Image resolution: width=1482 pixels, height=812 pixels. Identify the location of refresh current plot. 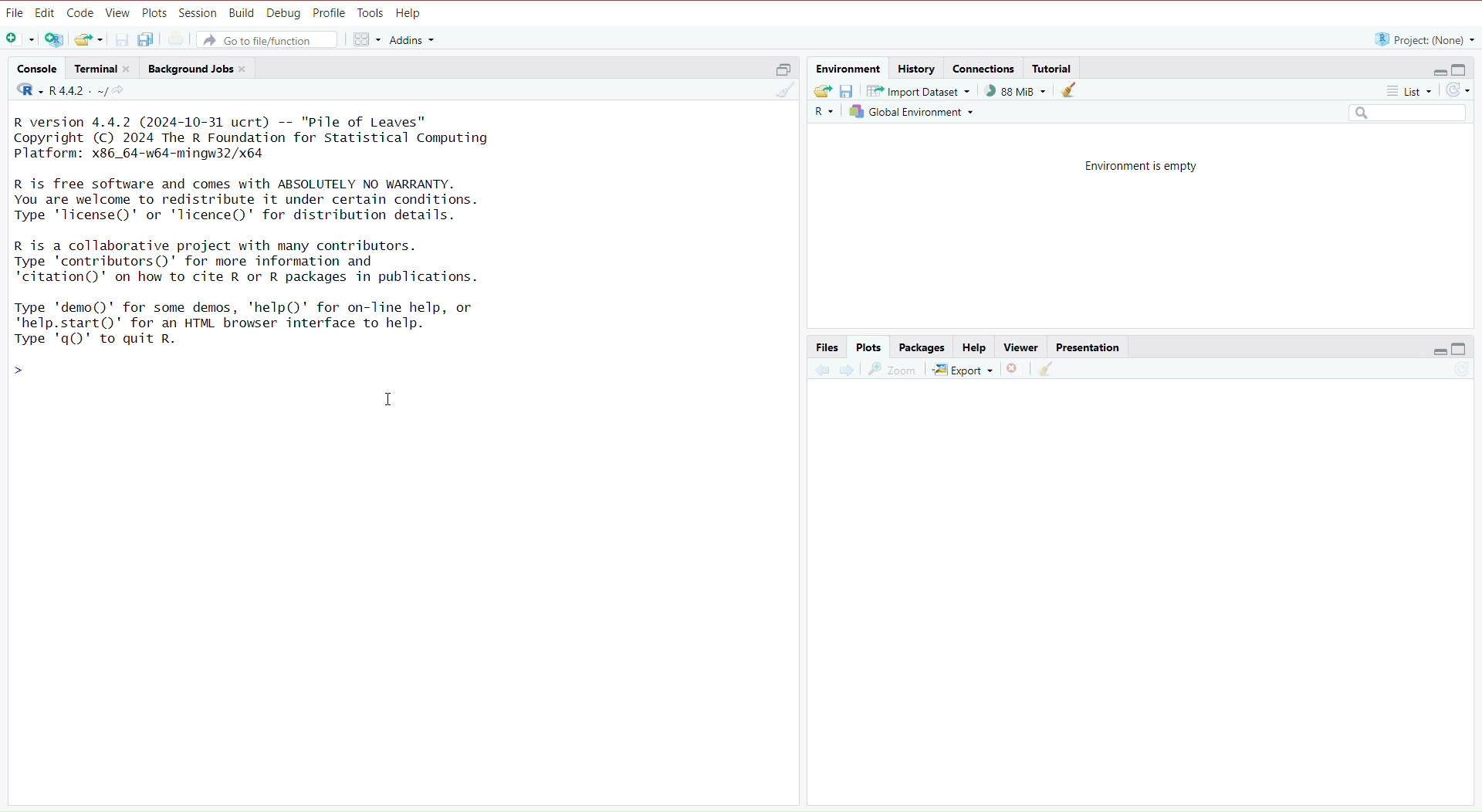
(1453, 373).